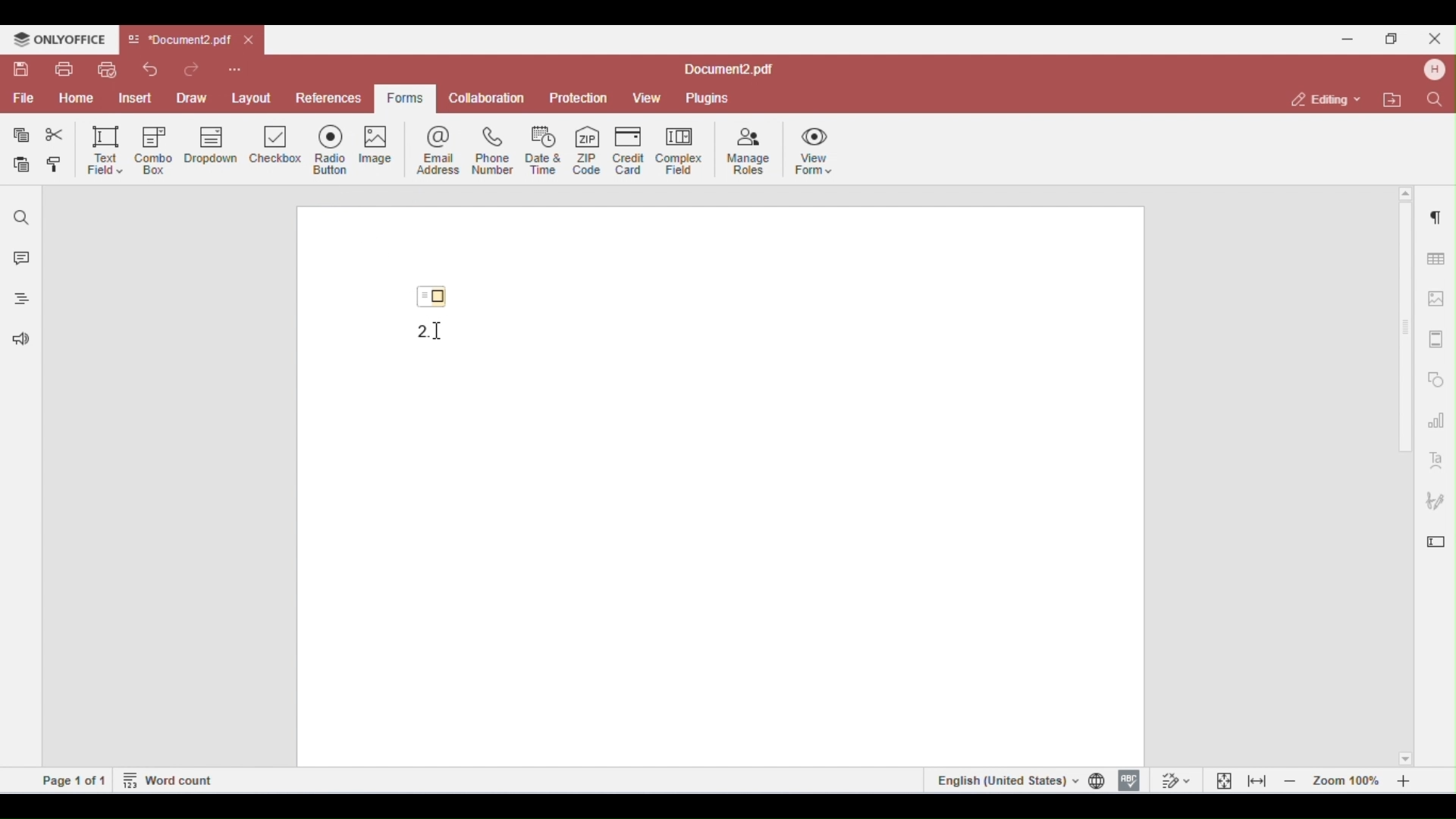 Image resolution: width=1456 pixels, height=819 pixels. I want to click on headings, so click(17, 301).